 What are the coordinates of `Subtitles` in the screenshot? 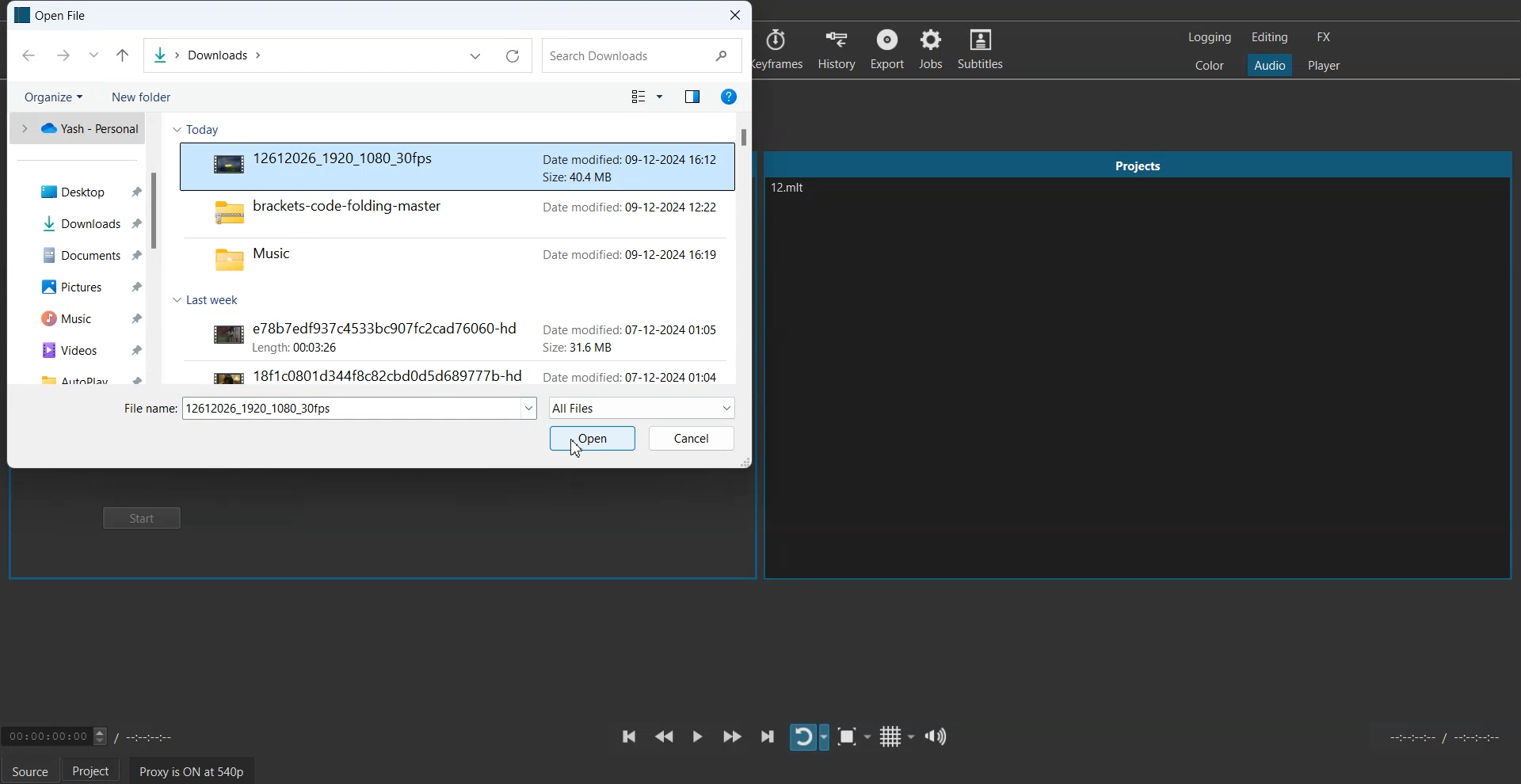 It's located at (981, 48).